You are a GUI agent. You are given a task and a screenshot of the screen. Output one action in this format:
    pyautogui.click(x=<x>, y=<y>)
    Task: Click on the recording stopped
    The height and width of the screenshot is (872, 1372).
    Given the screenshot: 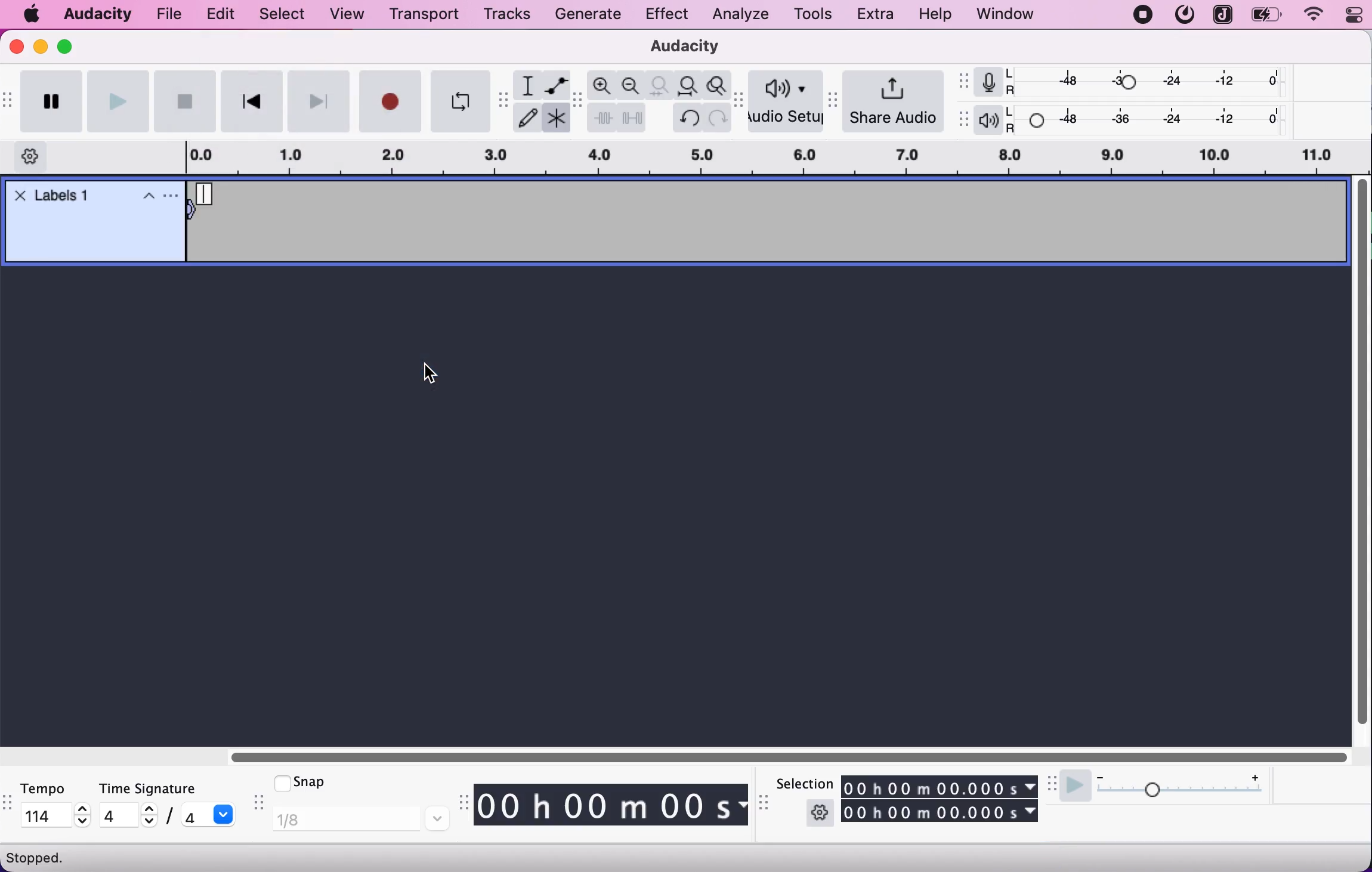 What is the action you would take?
    pyautogui.click(x=1143, y=15)
    